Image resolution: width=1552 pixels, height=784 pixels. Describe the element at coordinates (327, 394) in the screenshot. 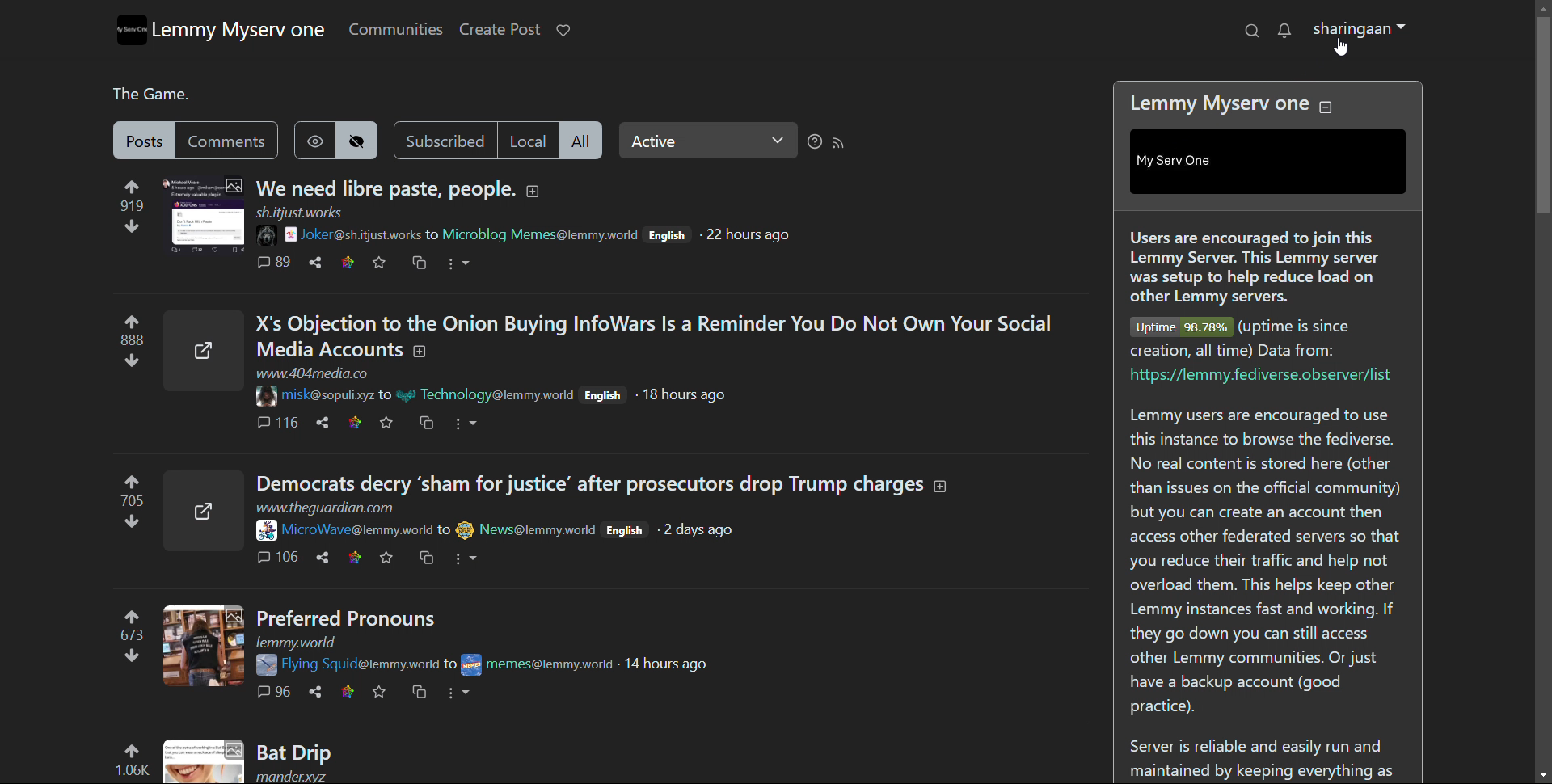

I see `poster username` at that location.